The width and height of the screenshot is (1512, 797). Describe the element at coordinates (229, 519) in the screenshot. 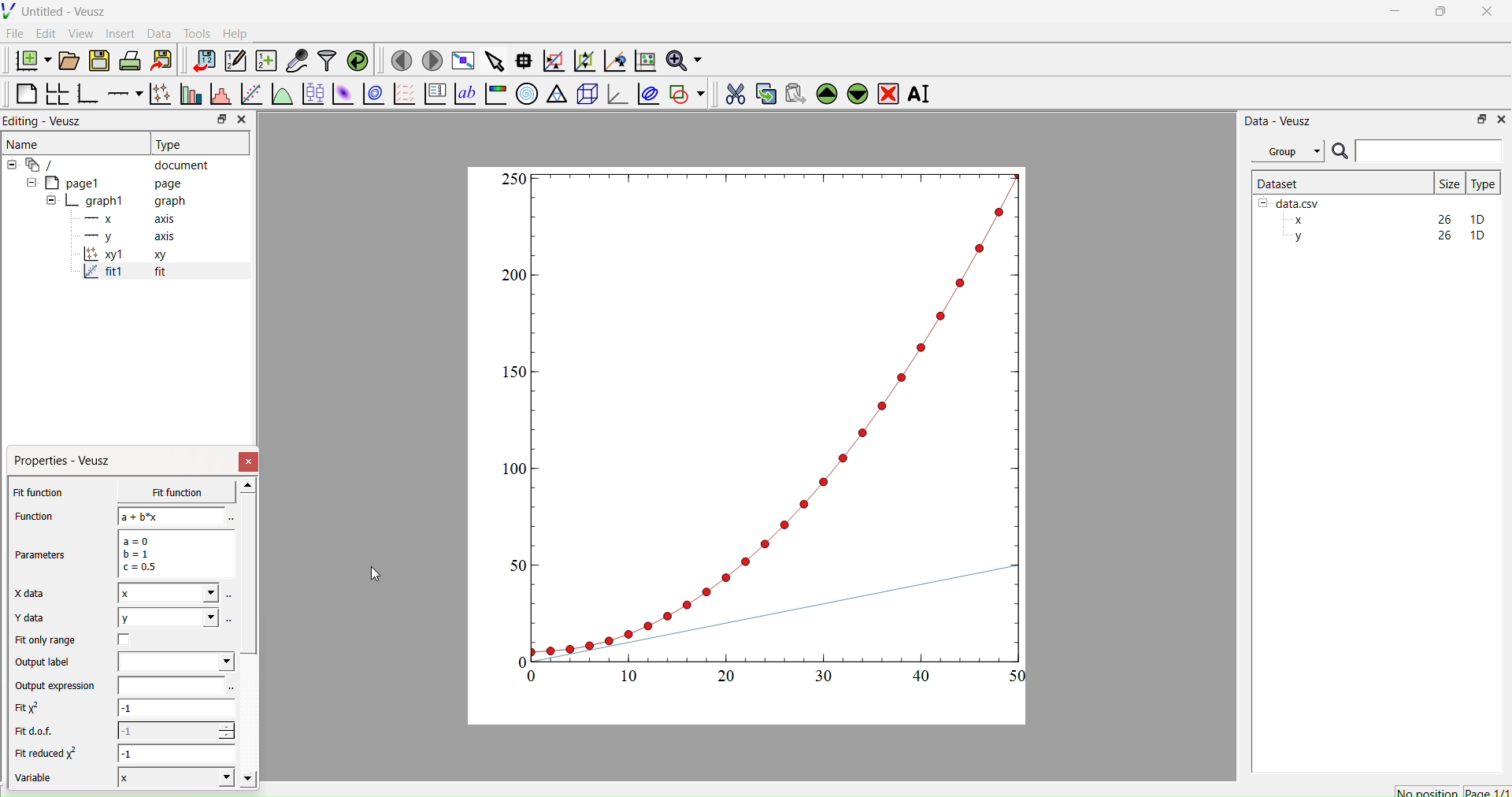

I see `Select using dataset browser` at that location.